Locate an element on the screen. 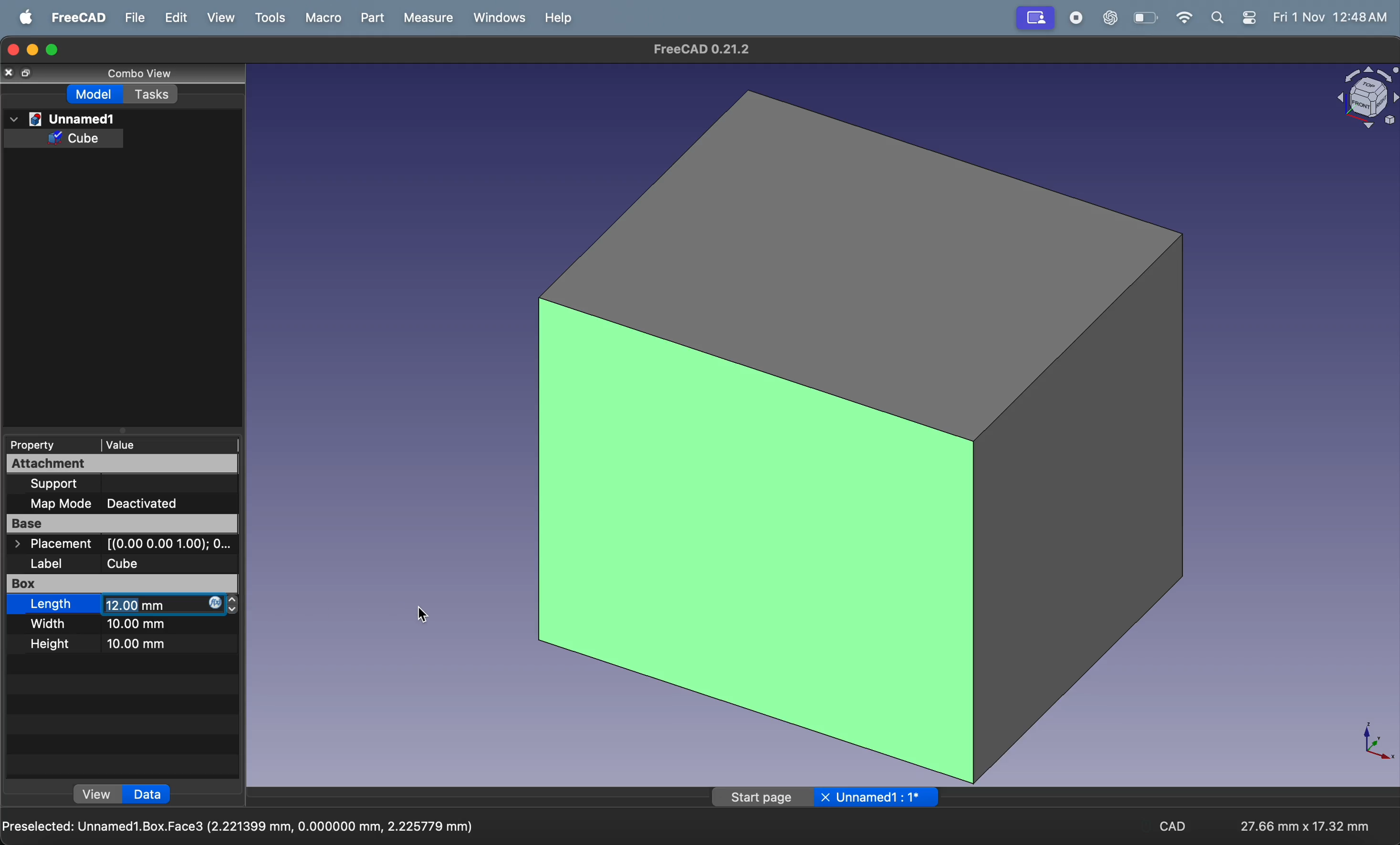 This screenshot has width=1400, height=845. unnamed is located at coordinates (63, 118).